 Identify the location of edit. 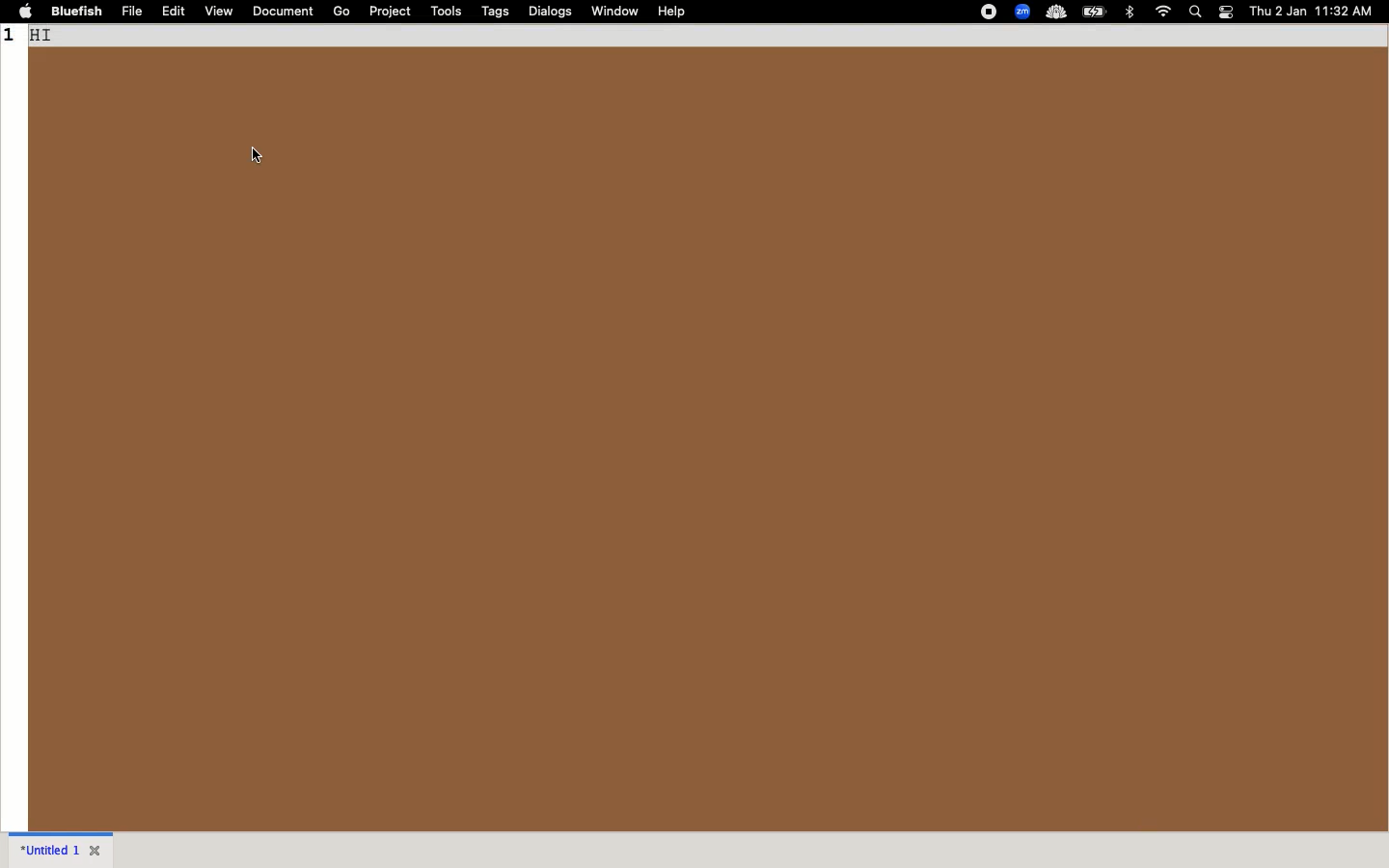
(177, 12).